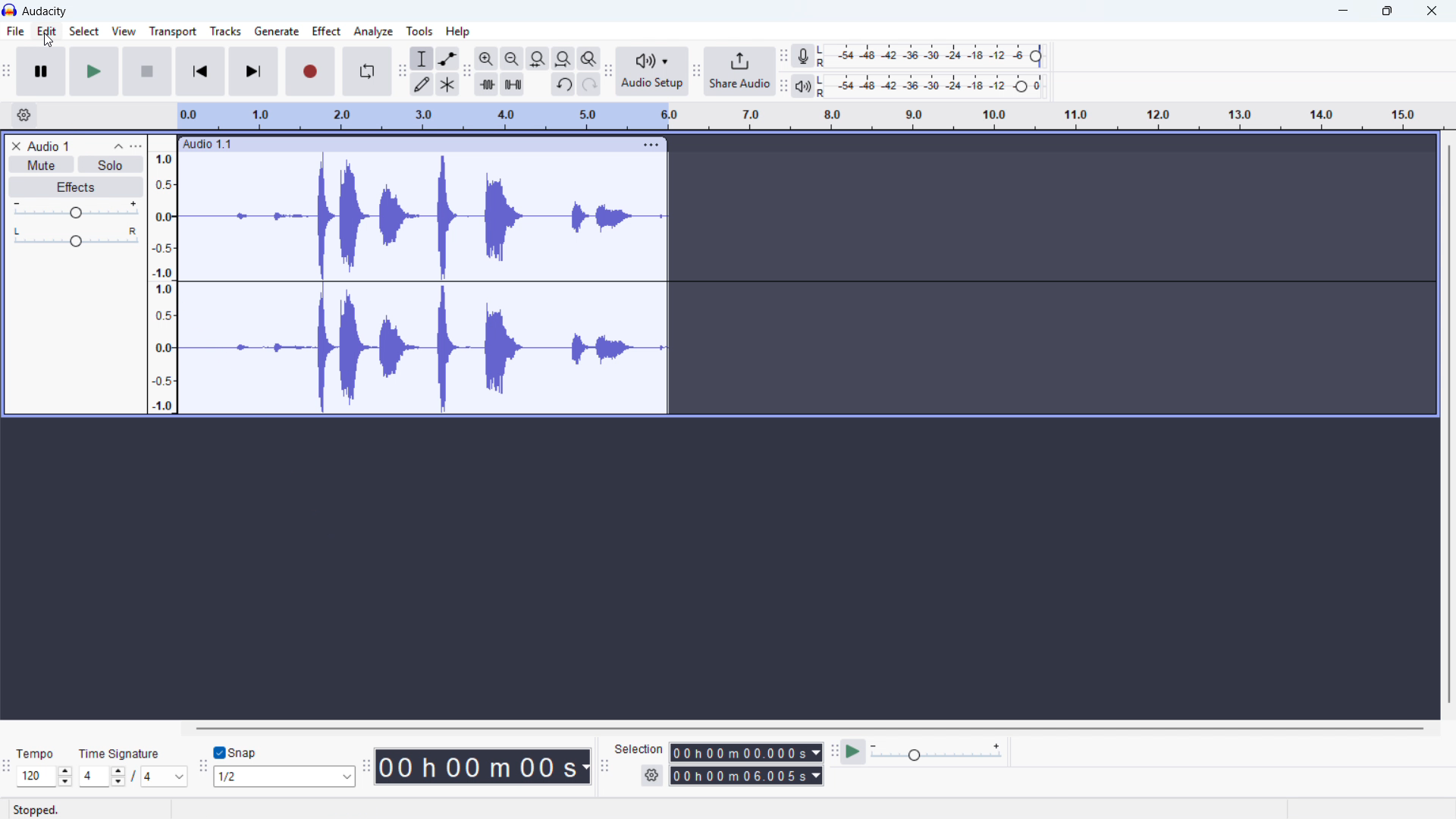  Describe the element at coordinates (651, 145) in the screenshot. I see `track options` at that location.